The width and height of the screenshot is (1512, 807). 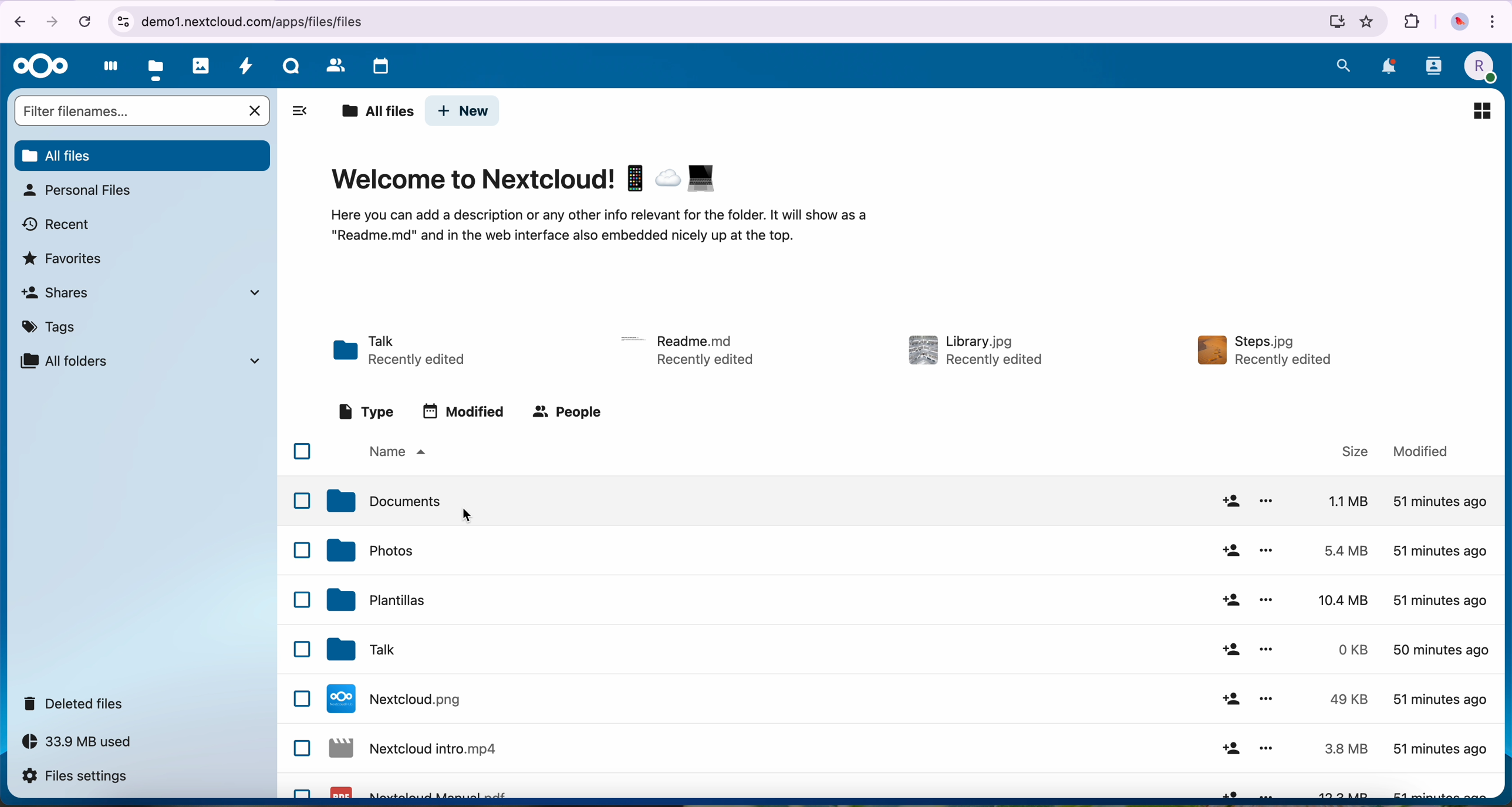 What do you see at coordinates (468, 515) in the screenshot?
I see `cursor` at bounding box center [468, 515].